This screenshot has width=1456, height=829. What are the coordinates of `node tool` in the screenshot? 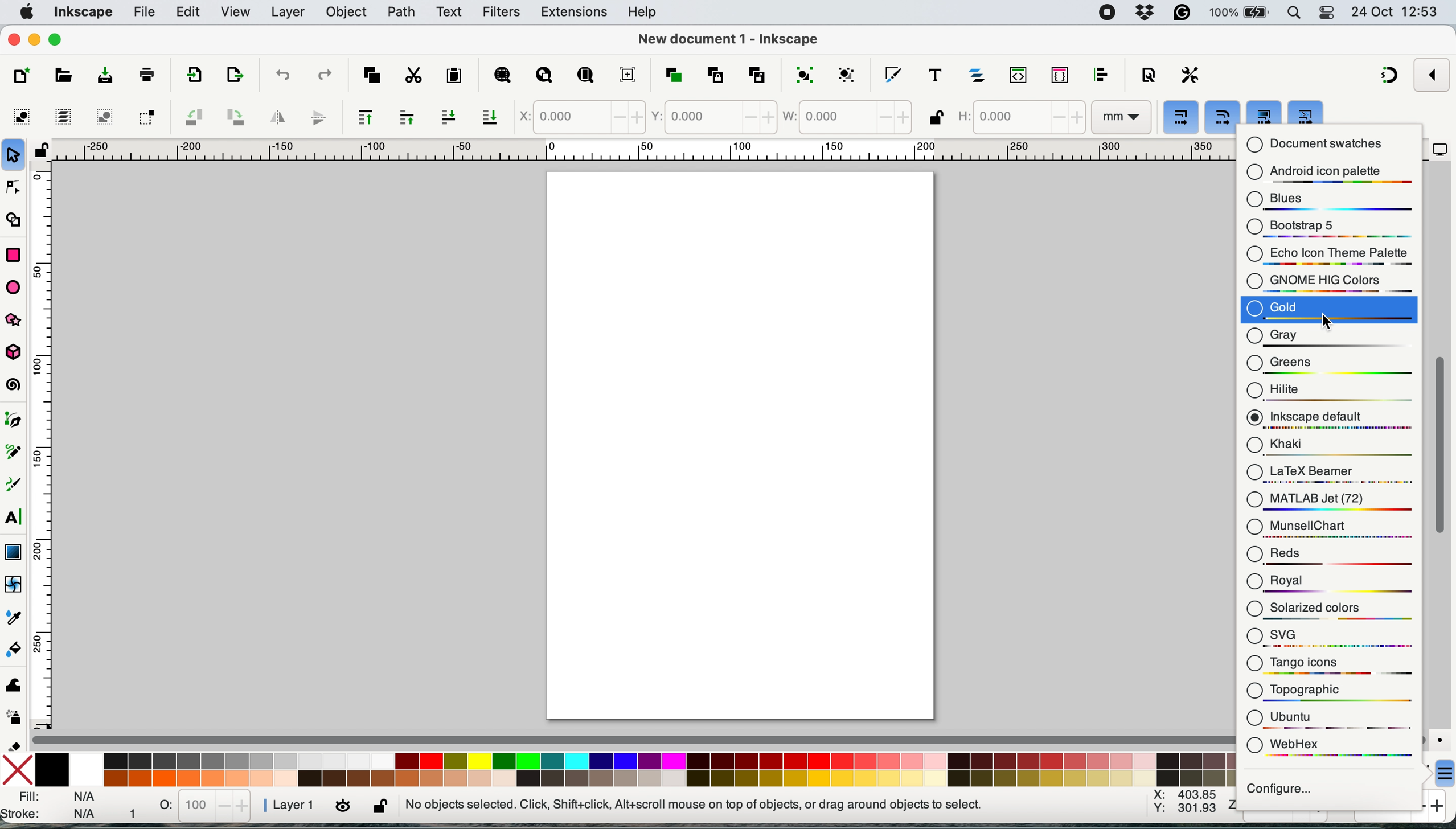 It's located at (16, 186).